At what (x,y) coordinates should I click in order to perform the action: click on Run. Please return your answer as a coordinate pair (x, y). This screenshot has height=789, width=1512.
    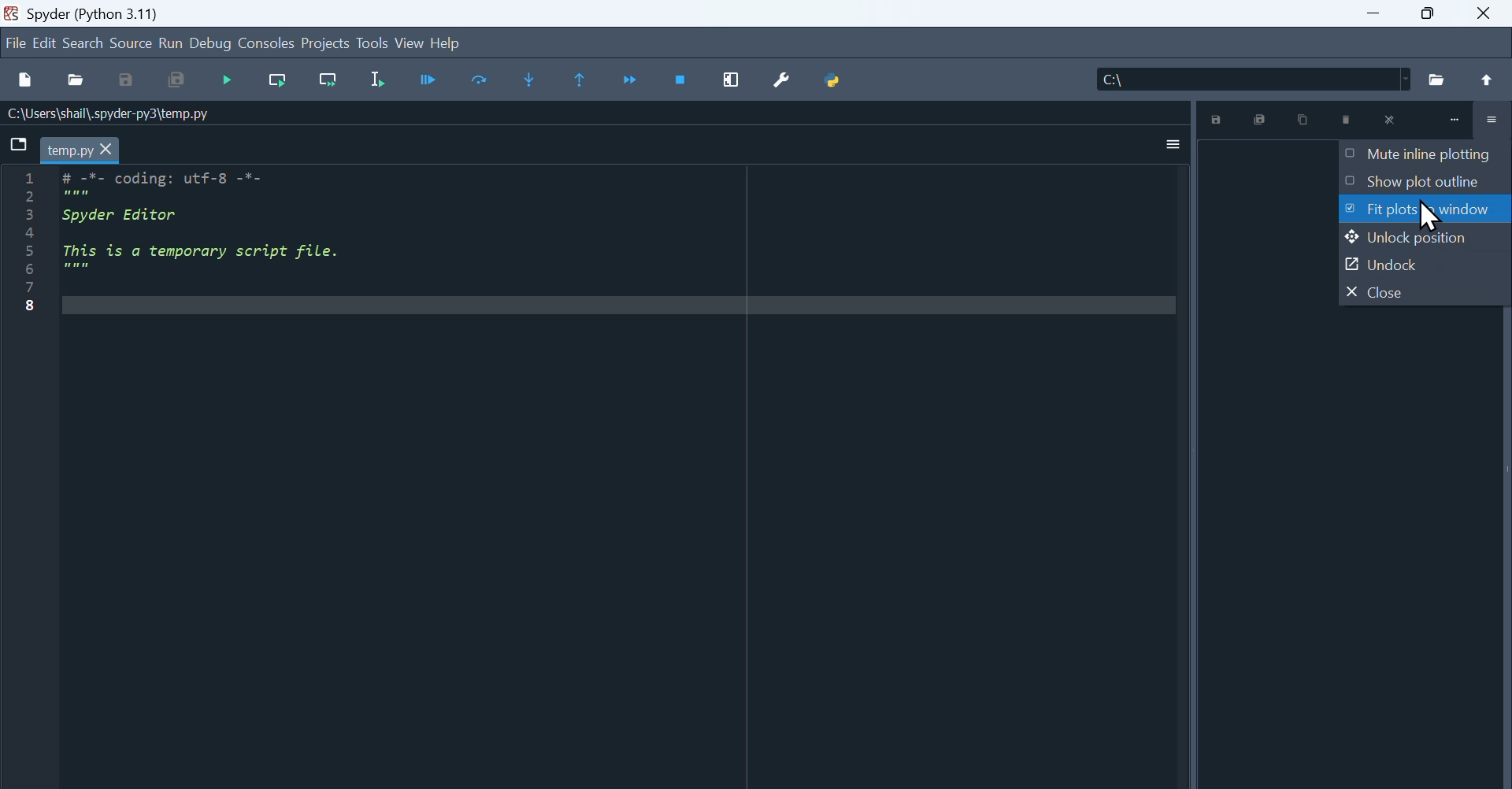
    Looking at the image, I should click on (172, 43).